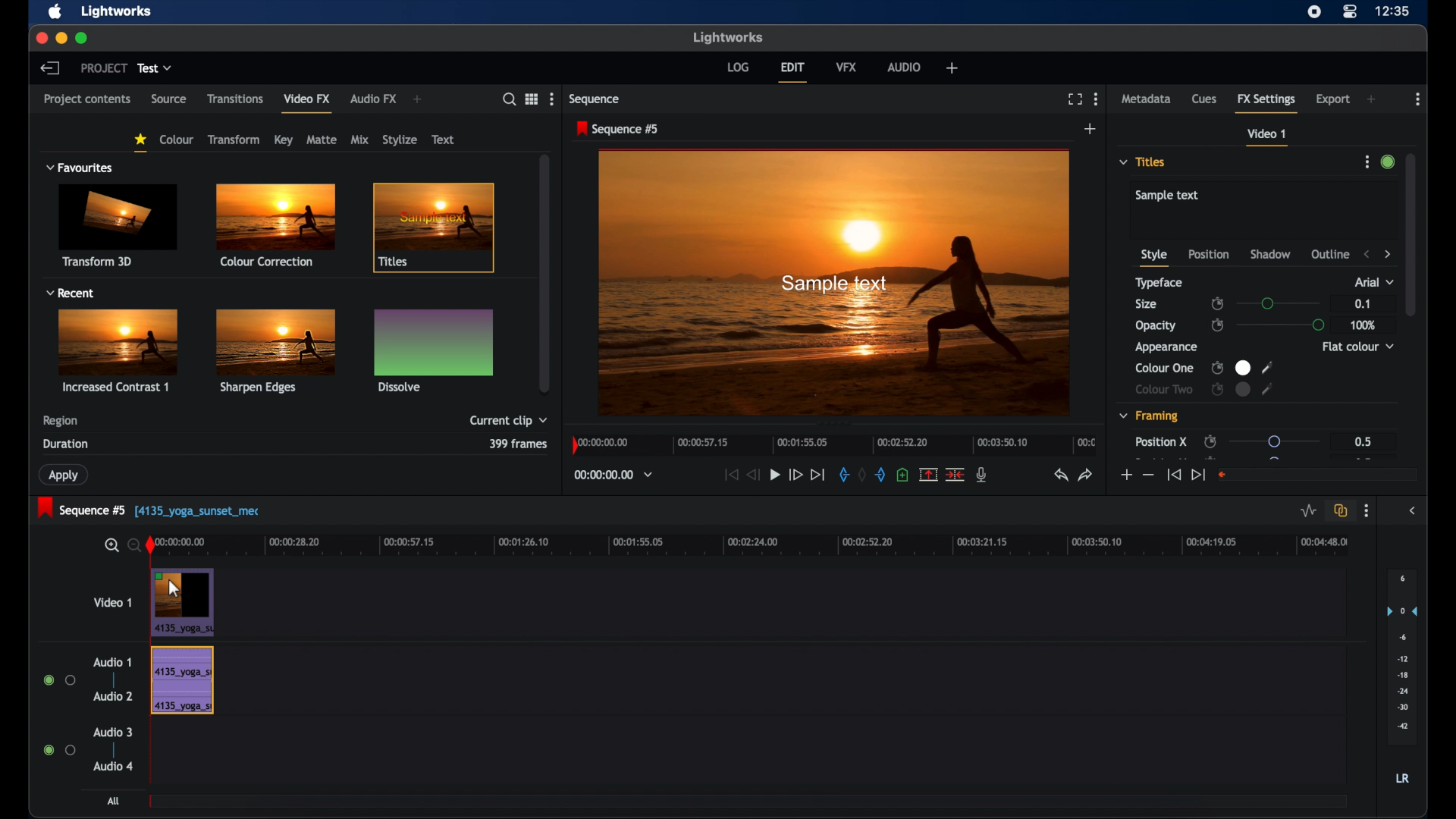 Image resolution: width=1456 pixels, height=819 pixels. Describe the element at coordinates (491, 421) in the screenshot. I see `selected segments` at that location.